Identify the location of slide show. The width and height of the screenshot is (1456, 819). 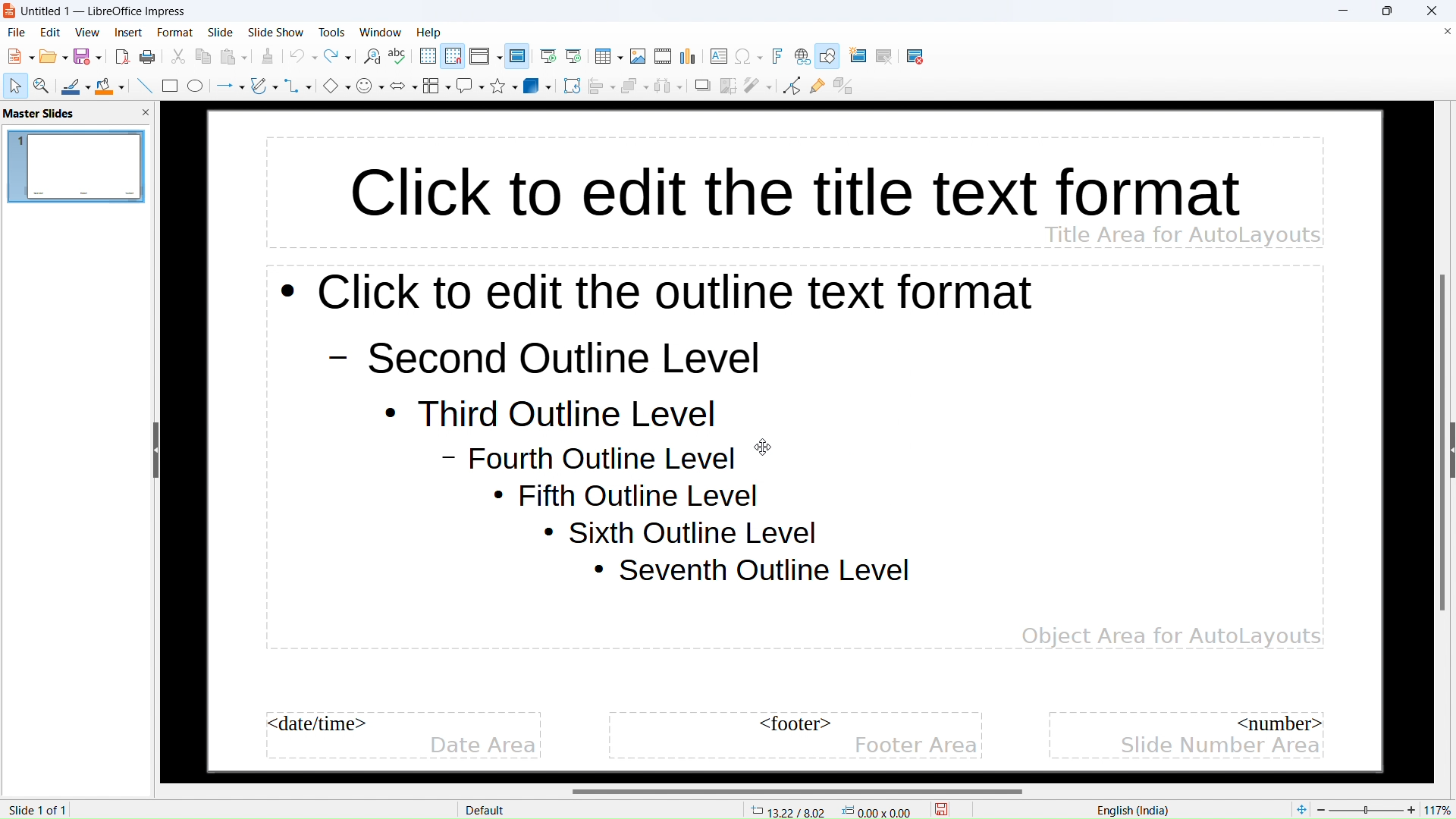
(276, 32).